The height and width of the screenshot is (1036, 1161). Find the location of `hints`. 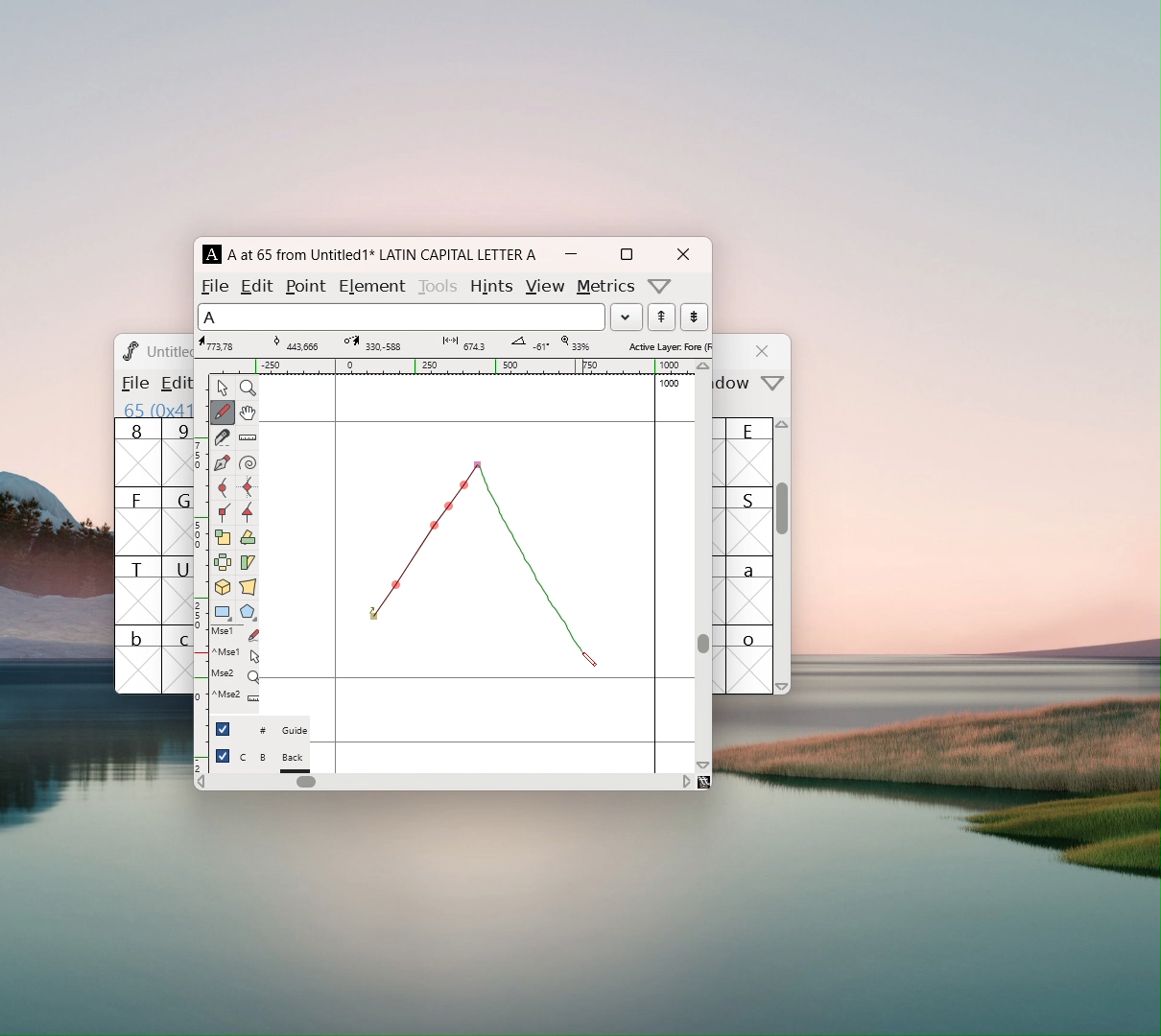

hints is located at coordinates (490, 286).